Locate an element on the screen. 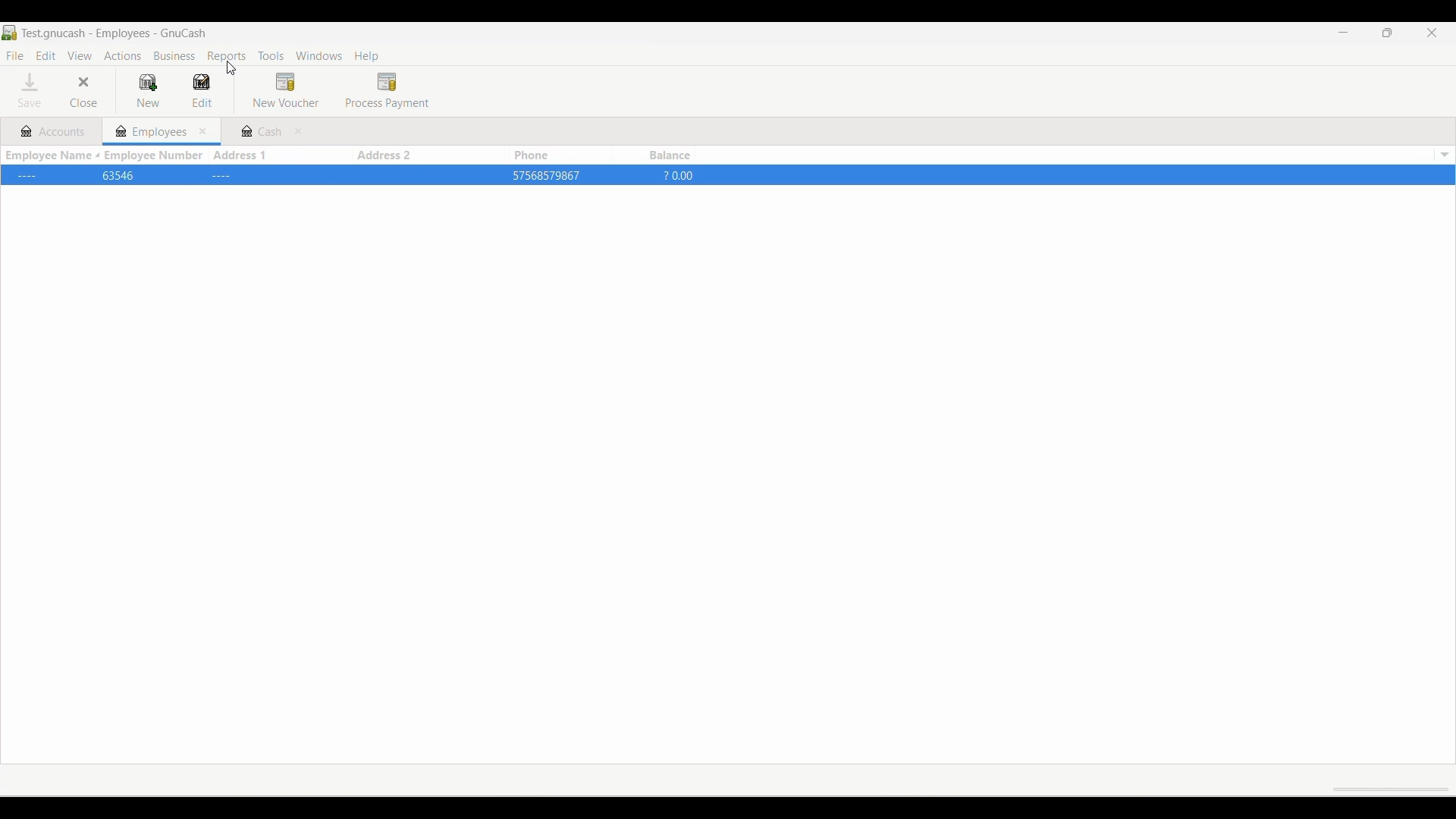 The width and height of the screenshot is (1456, 819). Close is located at coordinates (83, 90).